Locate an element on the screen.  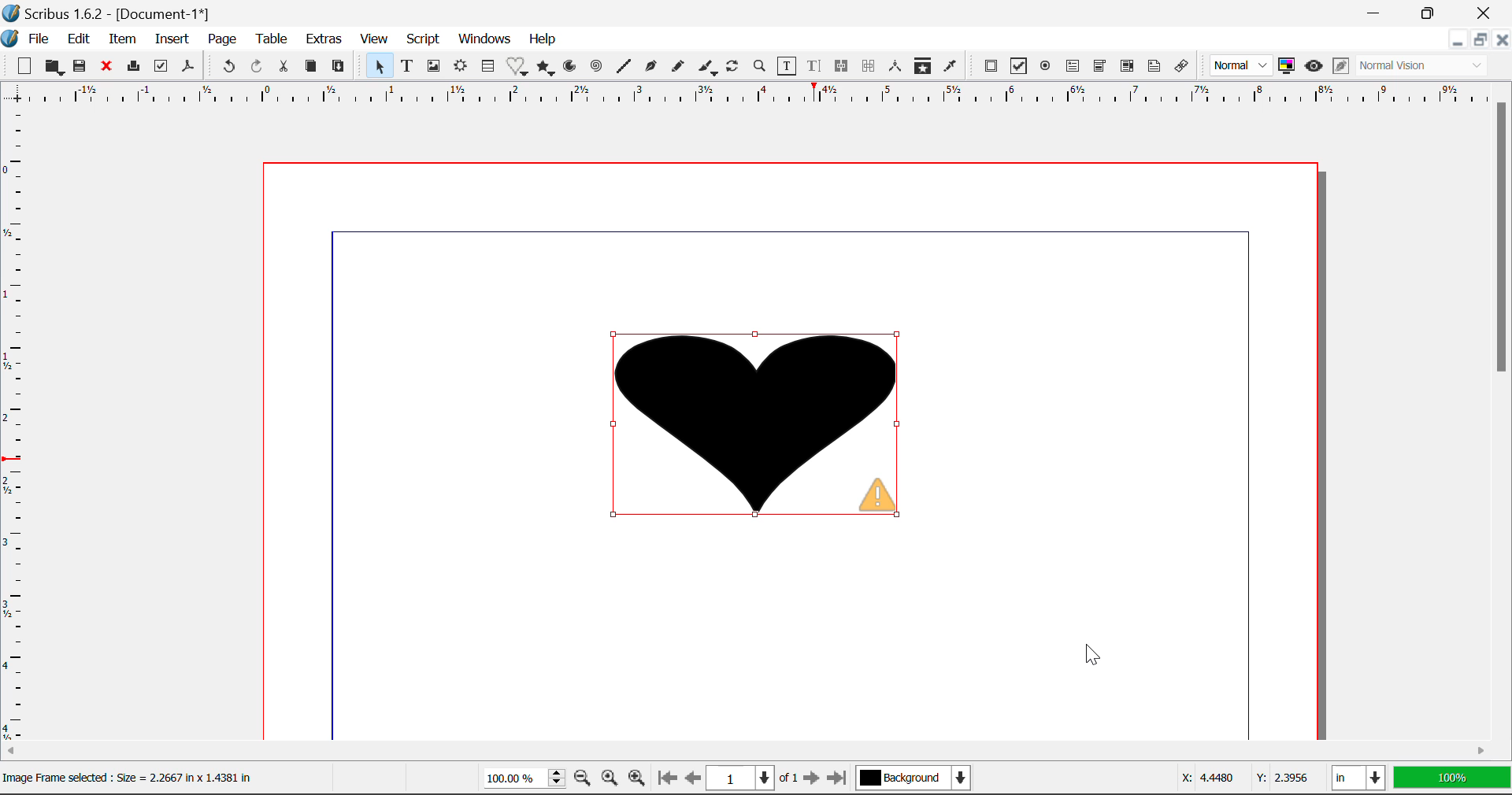
Zoom Out is located at coordinates (583, 779).